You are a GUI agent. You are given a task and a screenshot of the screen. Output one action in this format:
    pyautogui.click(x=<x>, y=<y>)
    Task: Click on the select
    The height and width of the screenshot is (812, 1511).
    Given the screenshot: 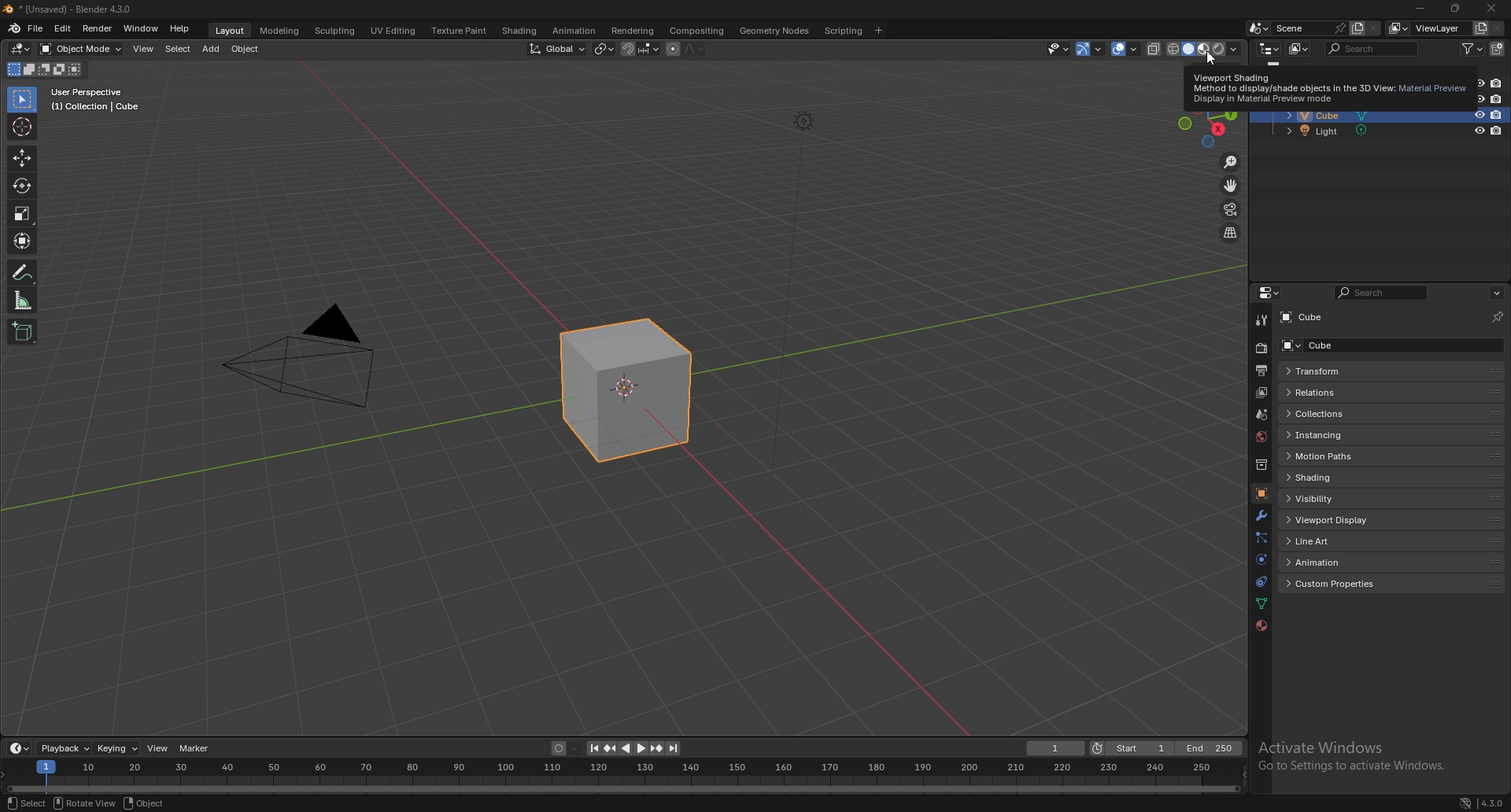 What is the action you would take?
    pyautogui.click(x=27, y=803)
    